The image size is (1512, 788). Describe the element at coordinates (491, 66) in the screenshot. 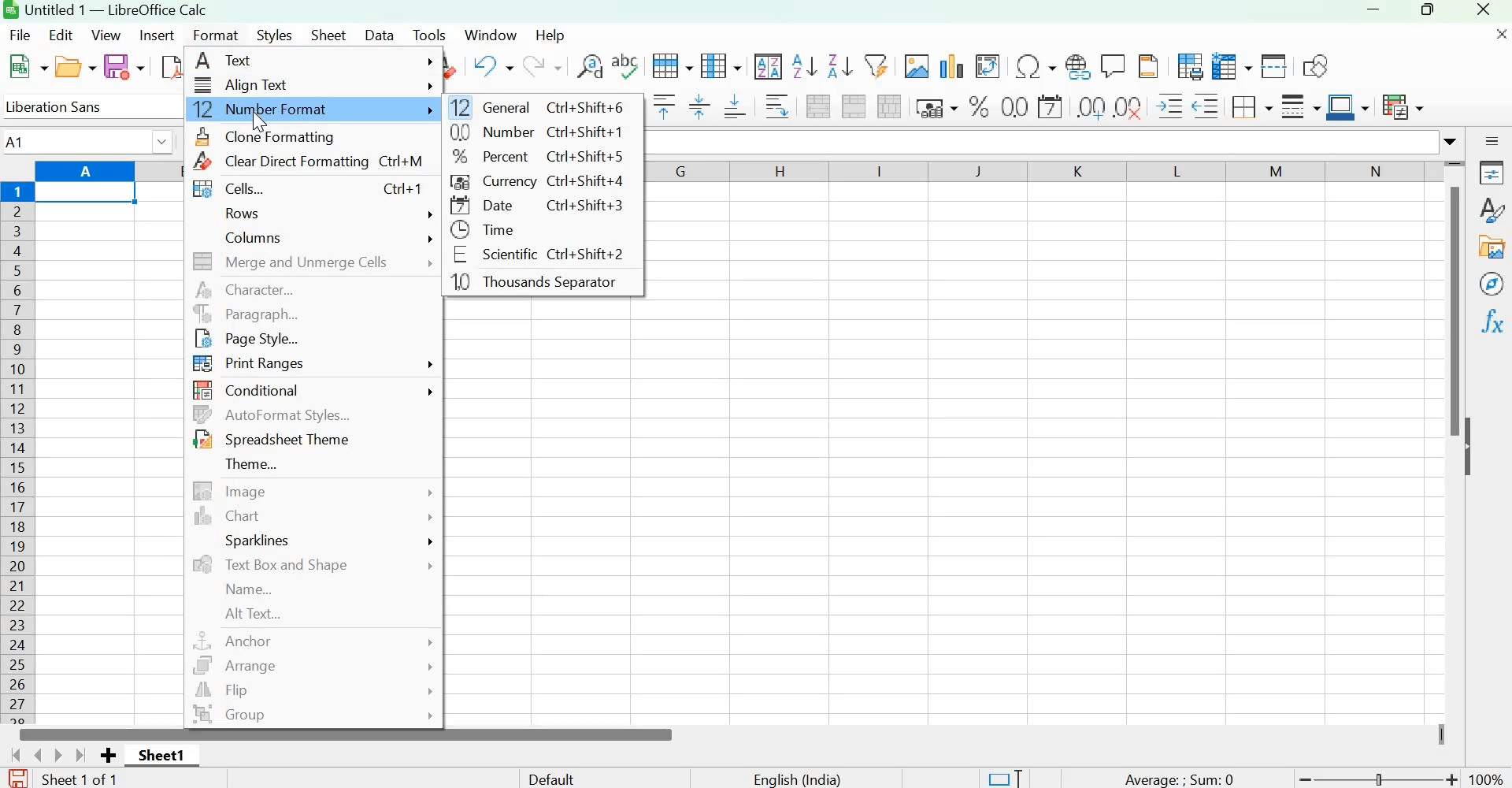

I see `Undo: insert` at that location.